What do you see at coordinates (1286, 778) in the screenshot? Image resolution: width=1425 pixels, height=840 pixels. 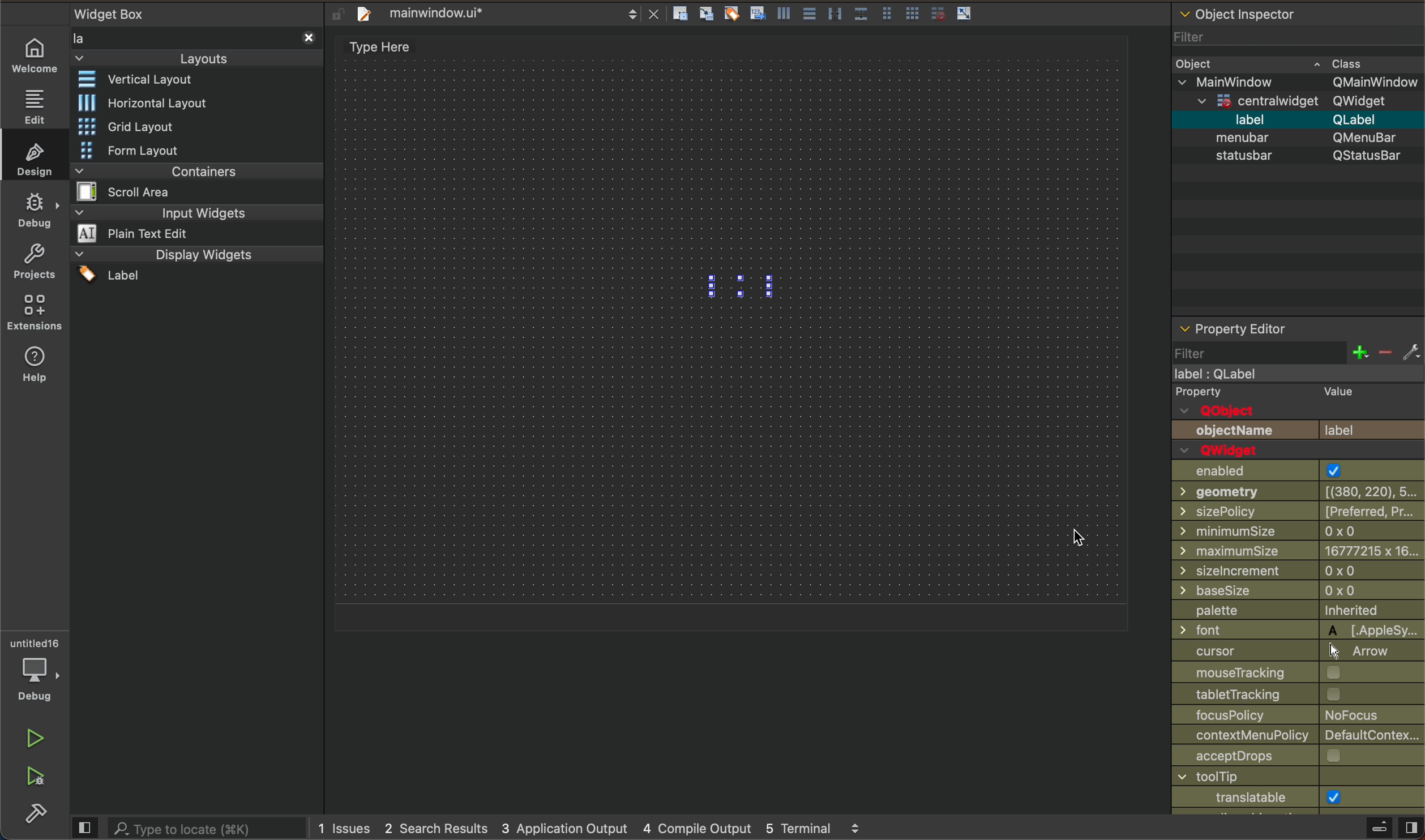 I see `window title` at bounding box center [1286, 778].